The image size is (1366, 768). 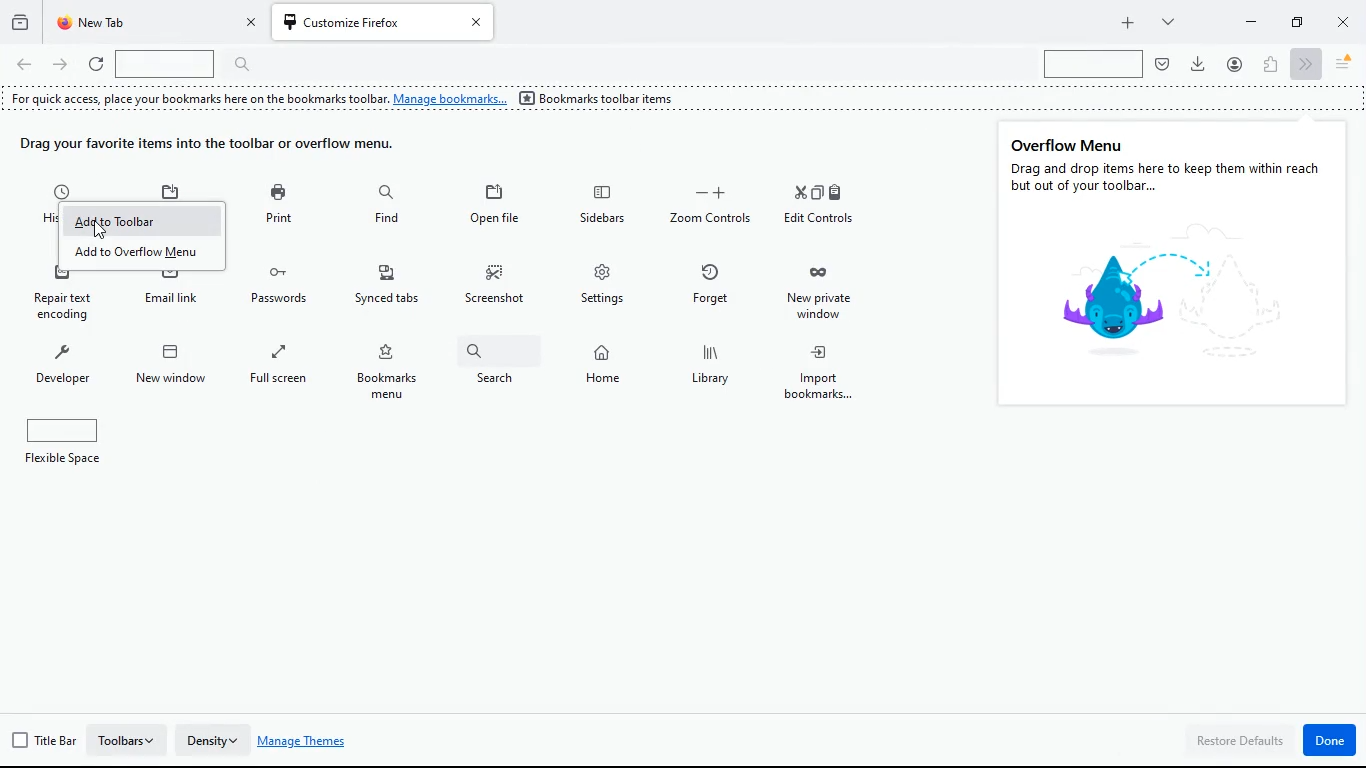 What do you see at coordinates (393, 372) in the screenshot?
I see `bookmarks` at bounding box center [393, 372].